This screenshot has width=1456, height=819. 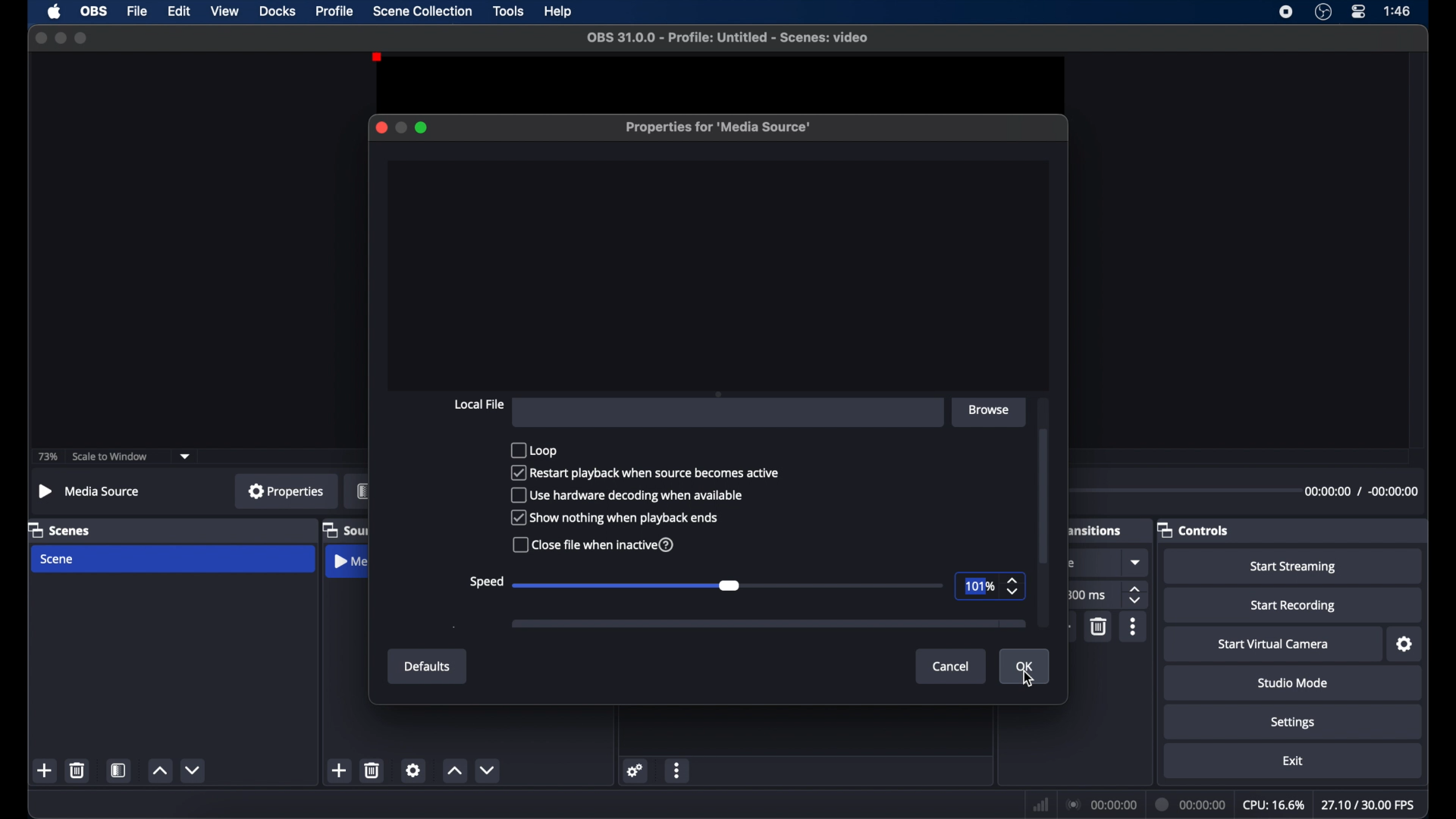 What do you see at coordinates (1045, 494) in the screenshot?
I see `scroll box` at bounding box center [1045, 494].